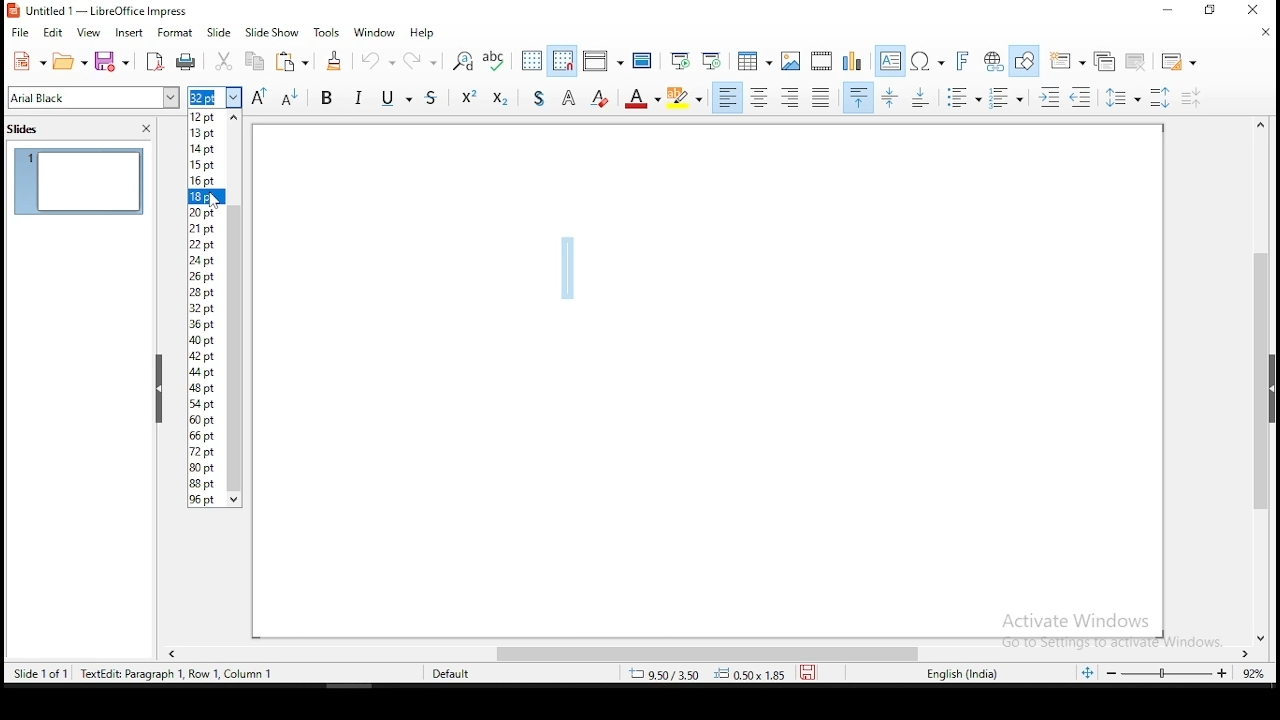  I want to click on 80, so click(207, 468).